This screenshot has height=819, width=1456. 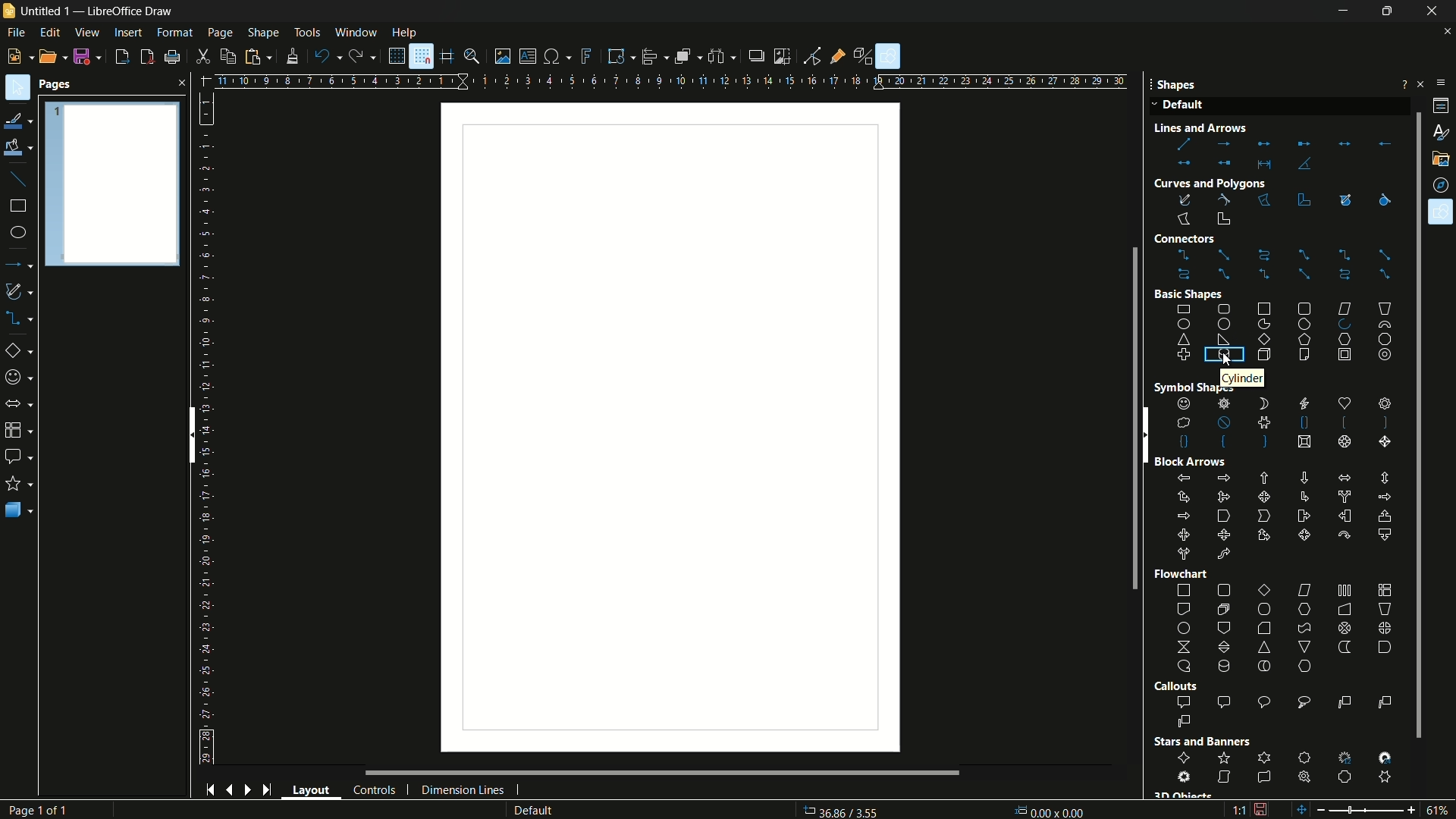 What do you see at coordinates (557, 58) in the screenshot?
I see `insert special characters` at bounding box center [557, 58].